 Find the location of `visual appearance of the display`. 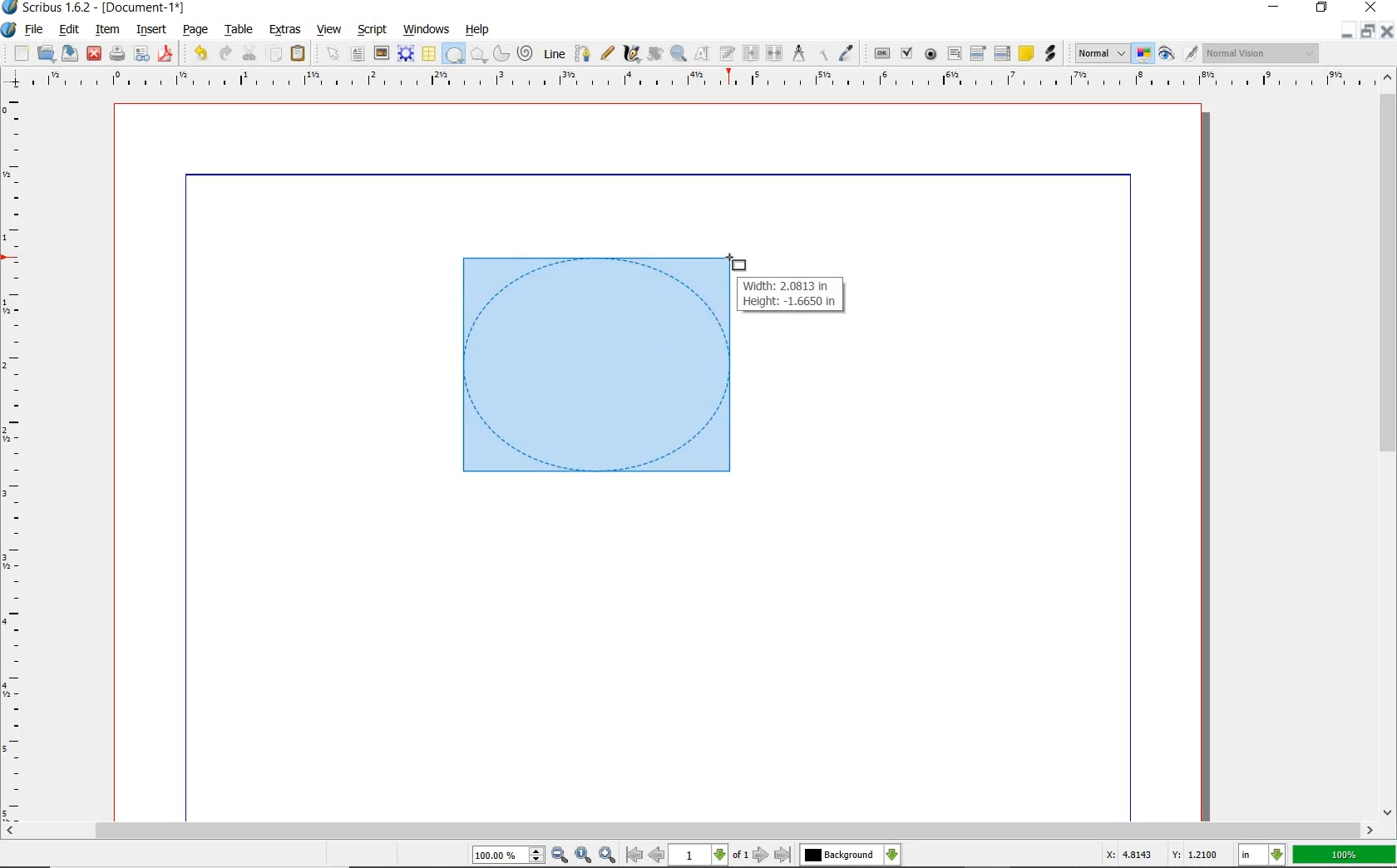

visual appearance of the display is located at coordinates (1261, 54).